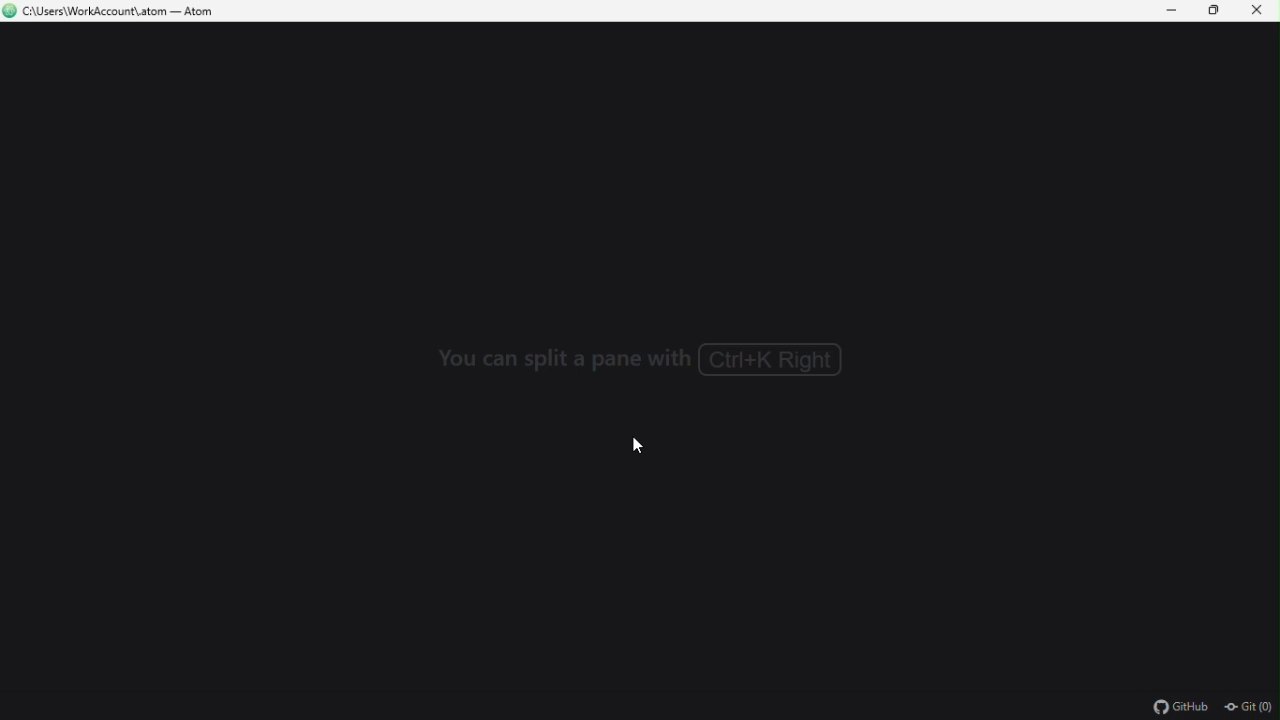 The image size is (1280, 720). Describe the element at coordinates (1174, 706) in the screenshot. I see `GitHub` at that location.